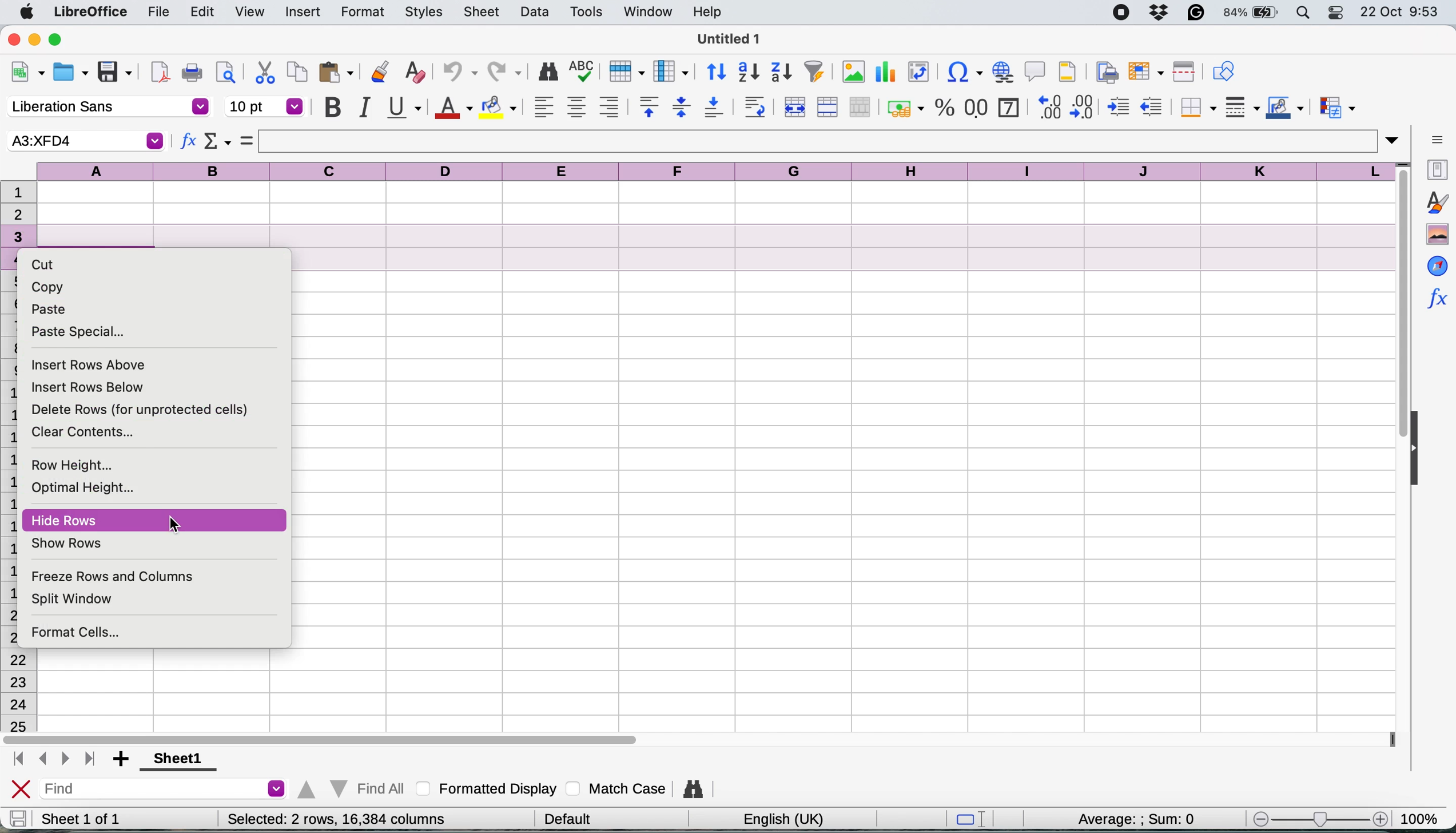  What do you see at coordinates (489, 787) in the screenshot?
I see `formatted display` at bounding box center [489, 787].